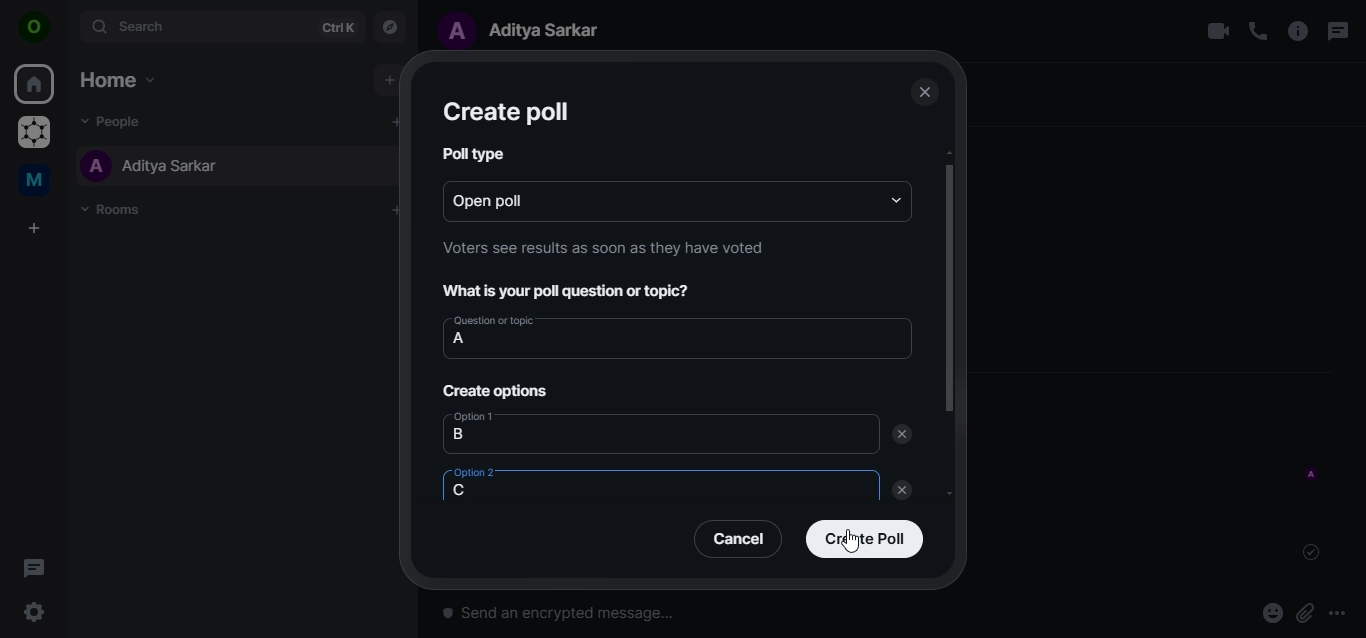 The width and height of the screenshot is (1366, 638). What do you see at coordinates (34, 134) in the screenshot?
I see `graoheneos` at bounding box center [34, 134].